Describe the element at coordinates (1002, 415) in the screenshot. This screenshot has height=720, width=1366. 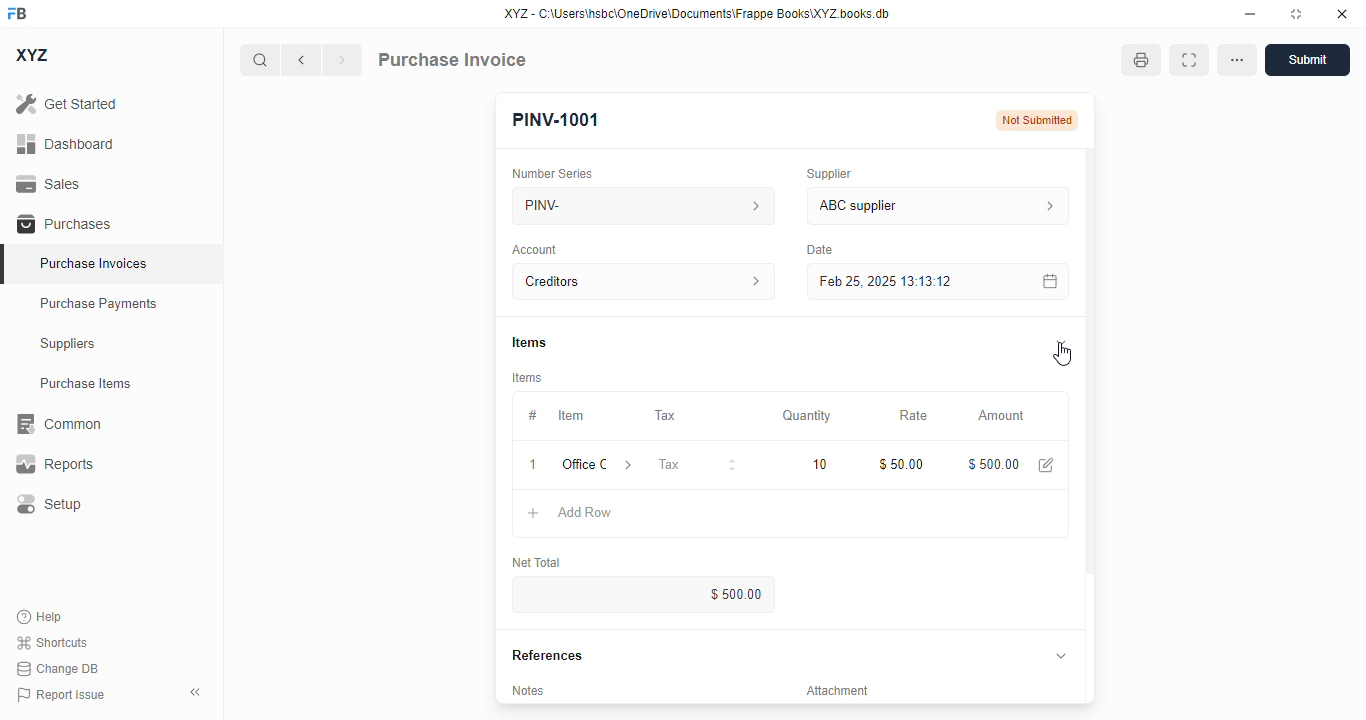
I see `amount` at that location.